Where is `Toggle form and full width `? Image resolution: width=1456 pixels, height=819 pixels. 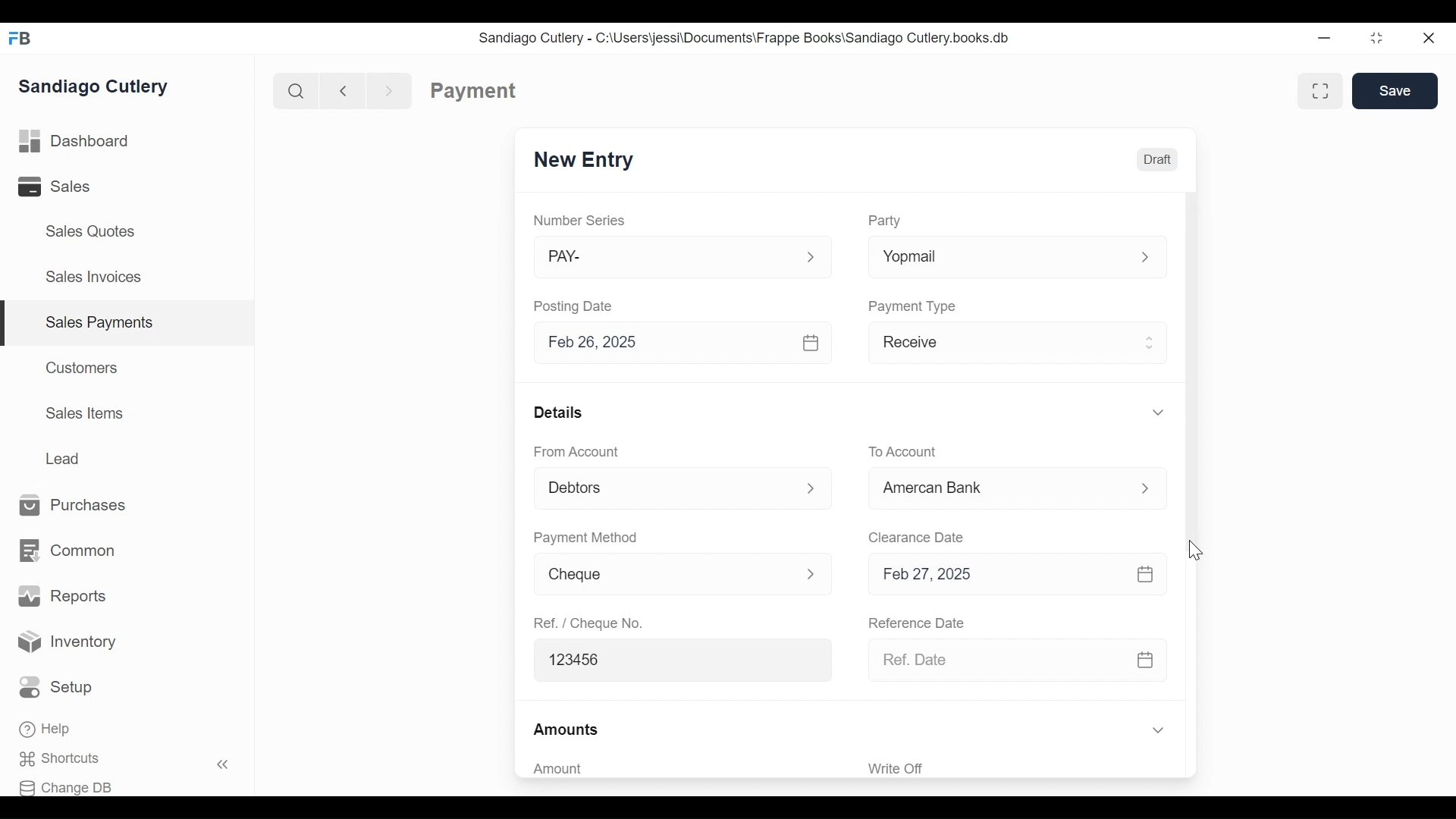
Toggle form and full width  is located at coordinates (1326, 88).